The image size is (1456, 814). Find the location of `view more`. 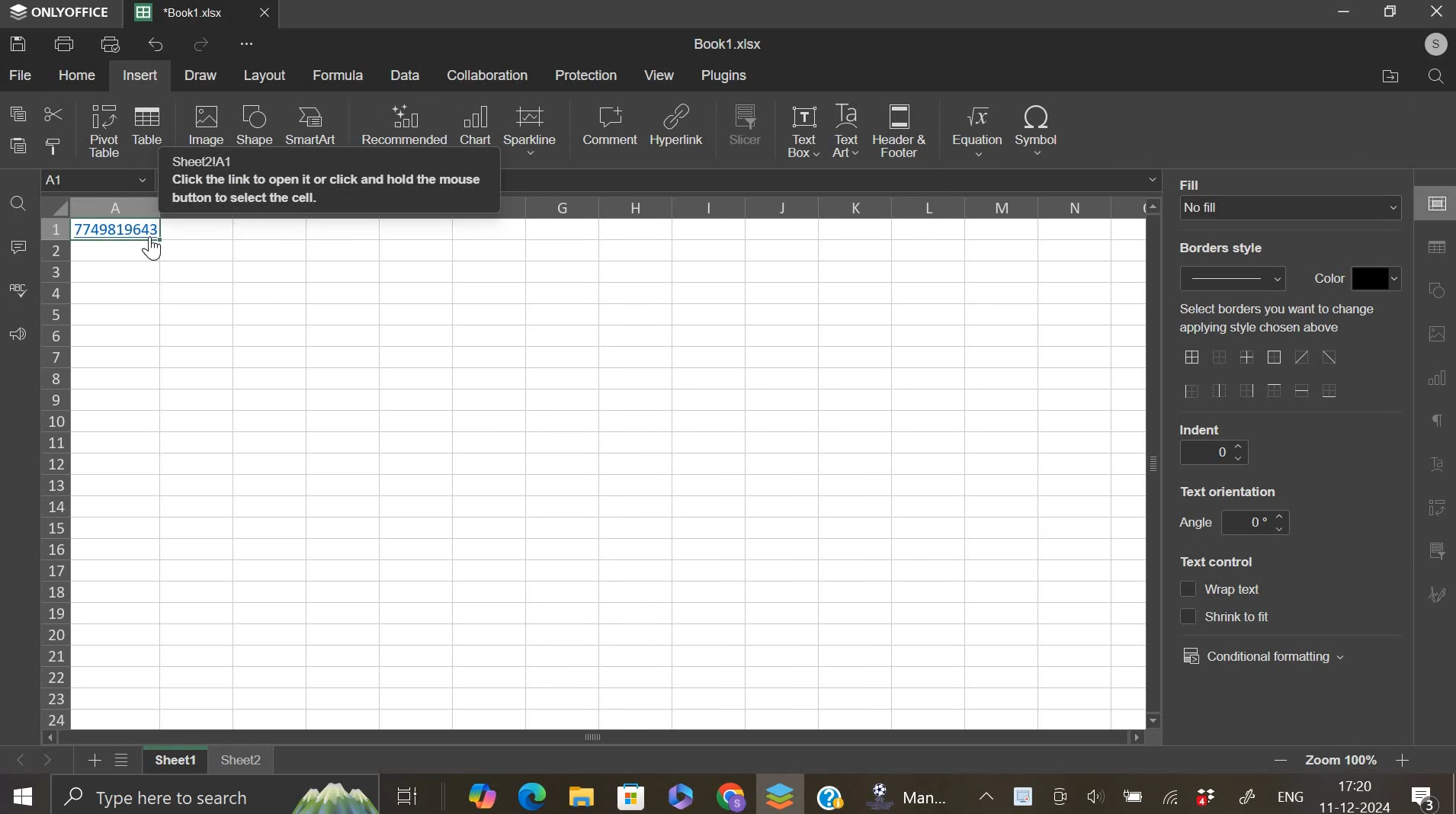

view more is located at coordinates (252, 46).